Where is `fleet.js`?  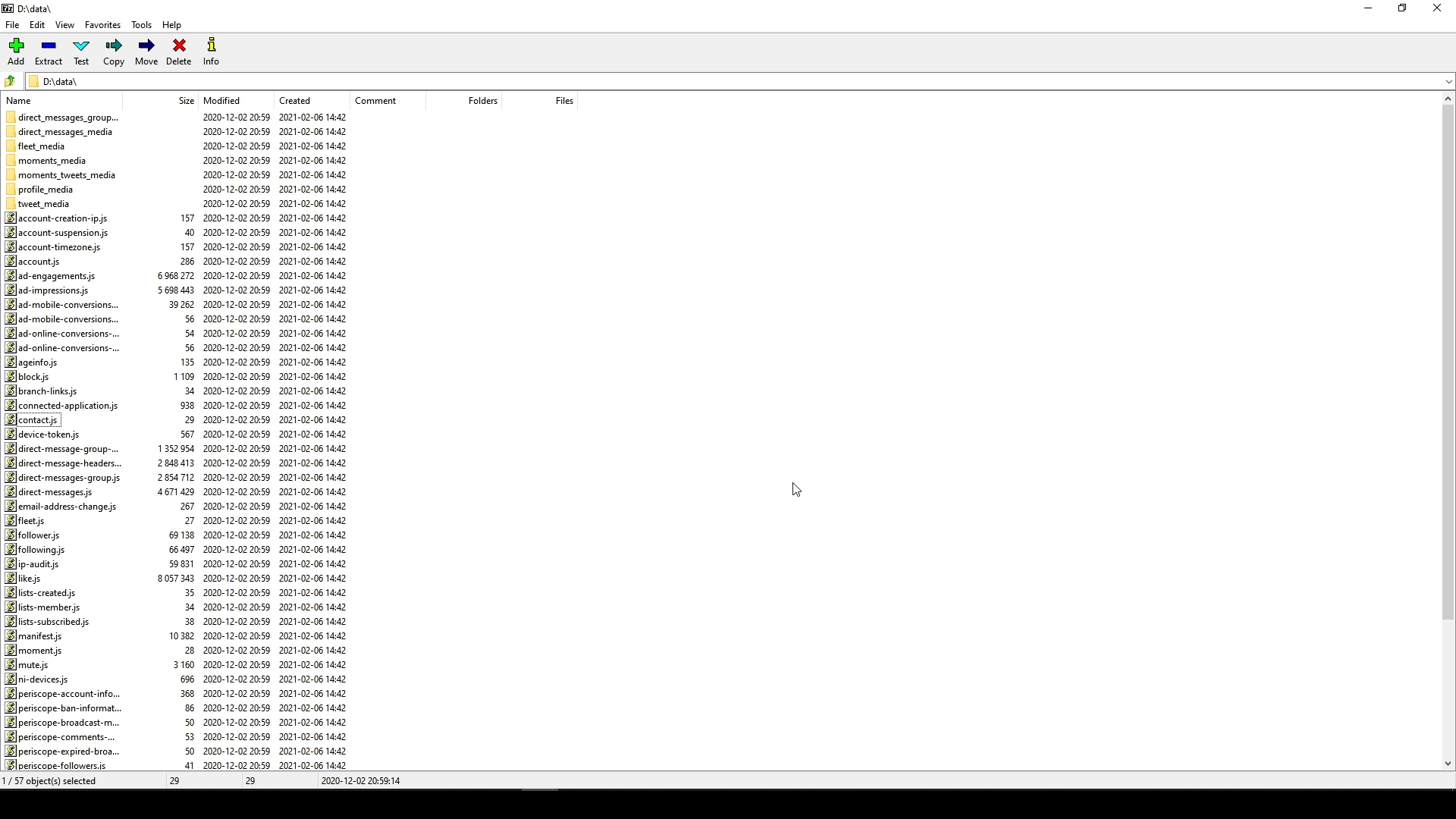
fleet.js is located at coordinates (28, 520).